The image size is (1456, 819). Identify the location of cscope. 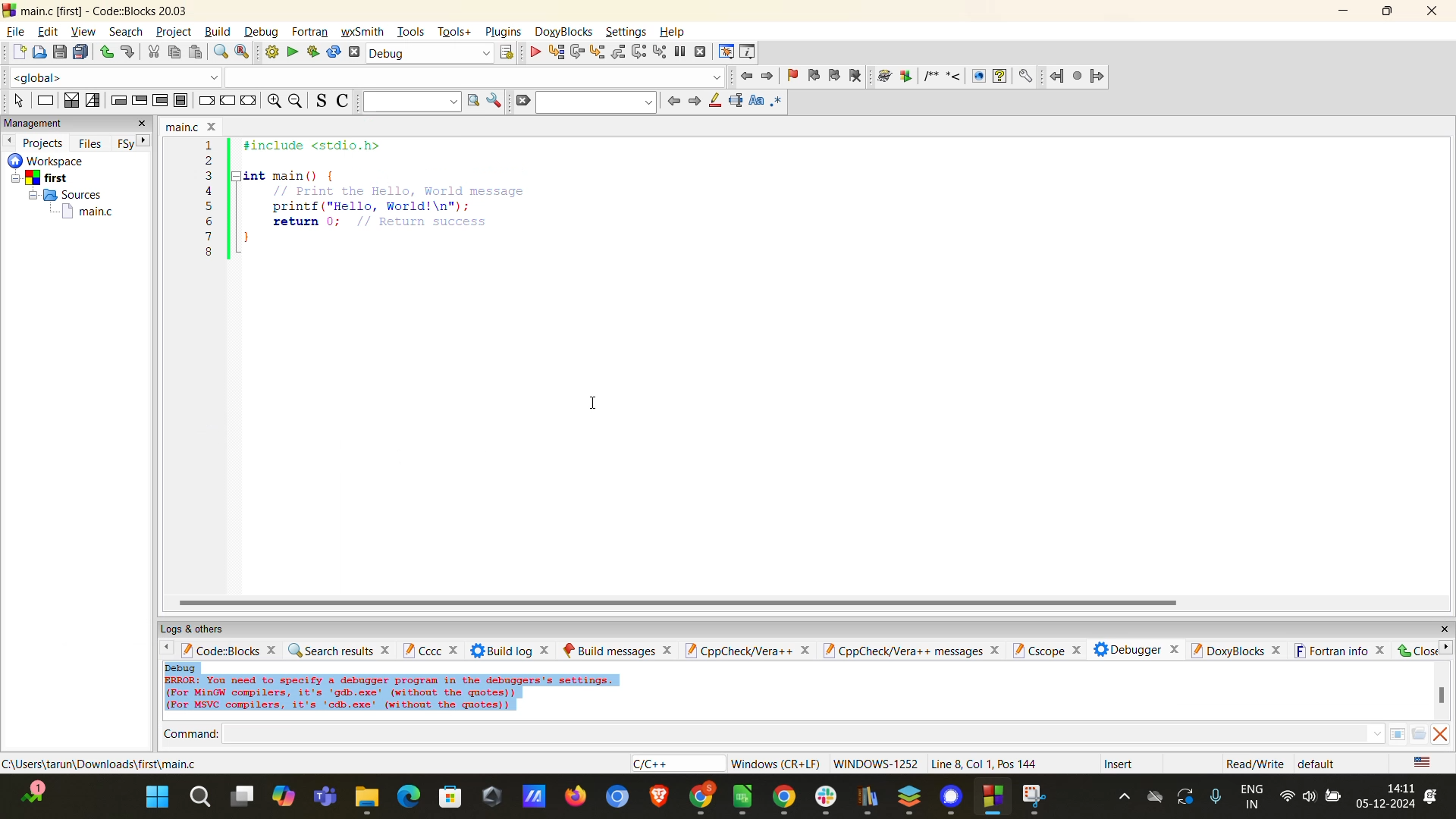
(1049, 649).